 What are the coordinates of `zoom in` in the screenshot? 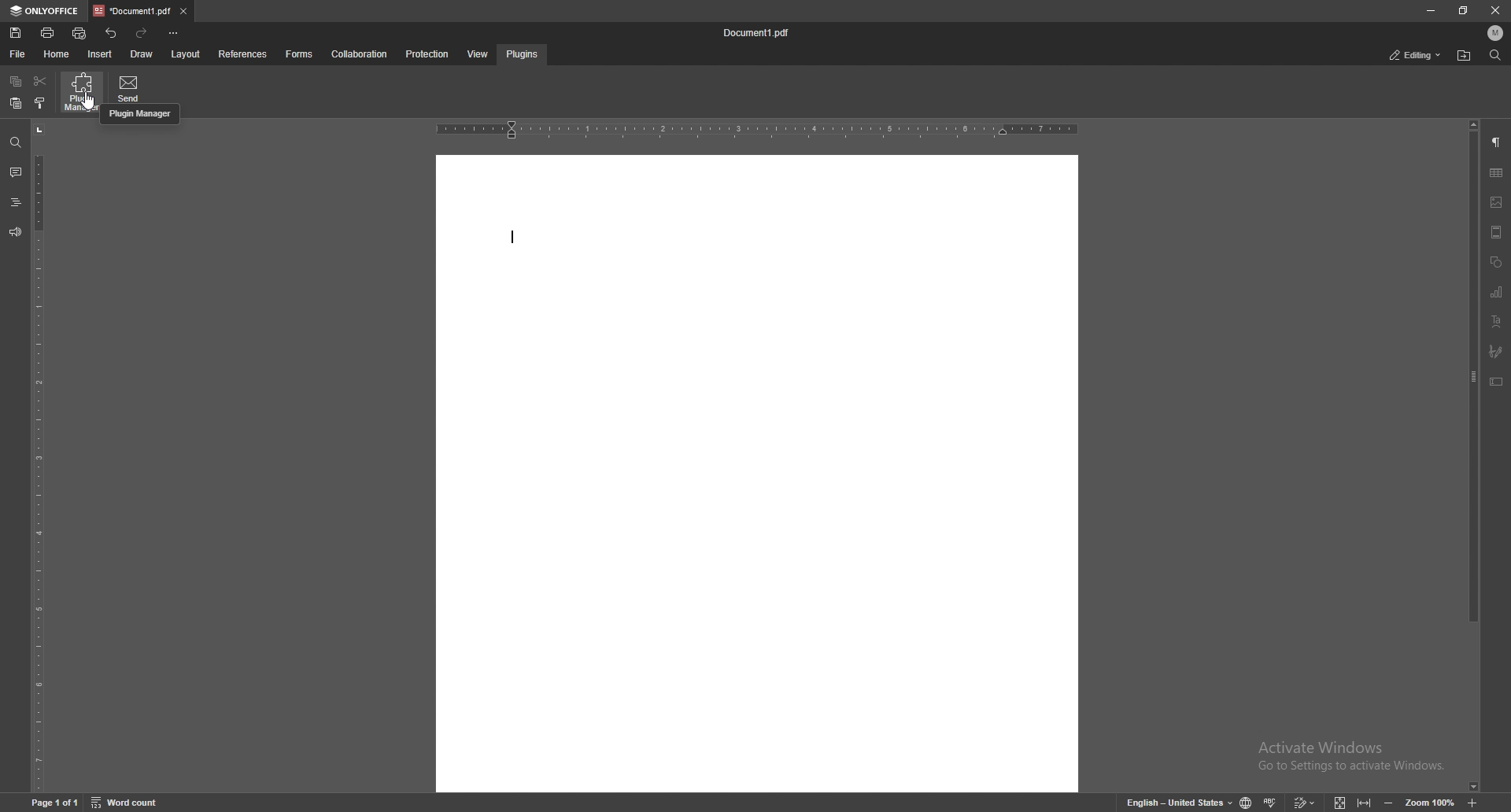 It's located at (1472, 803).